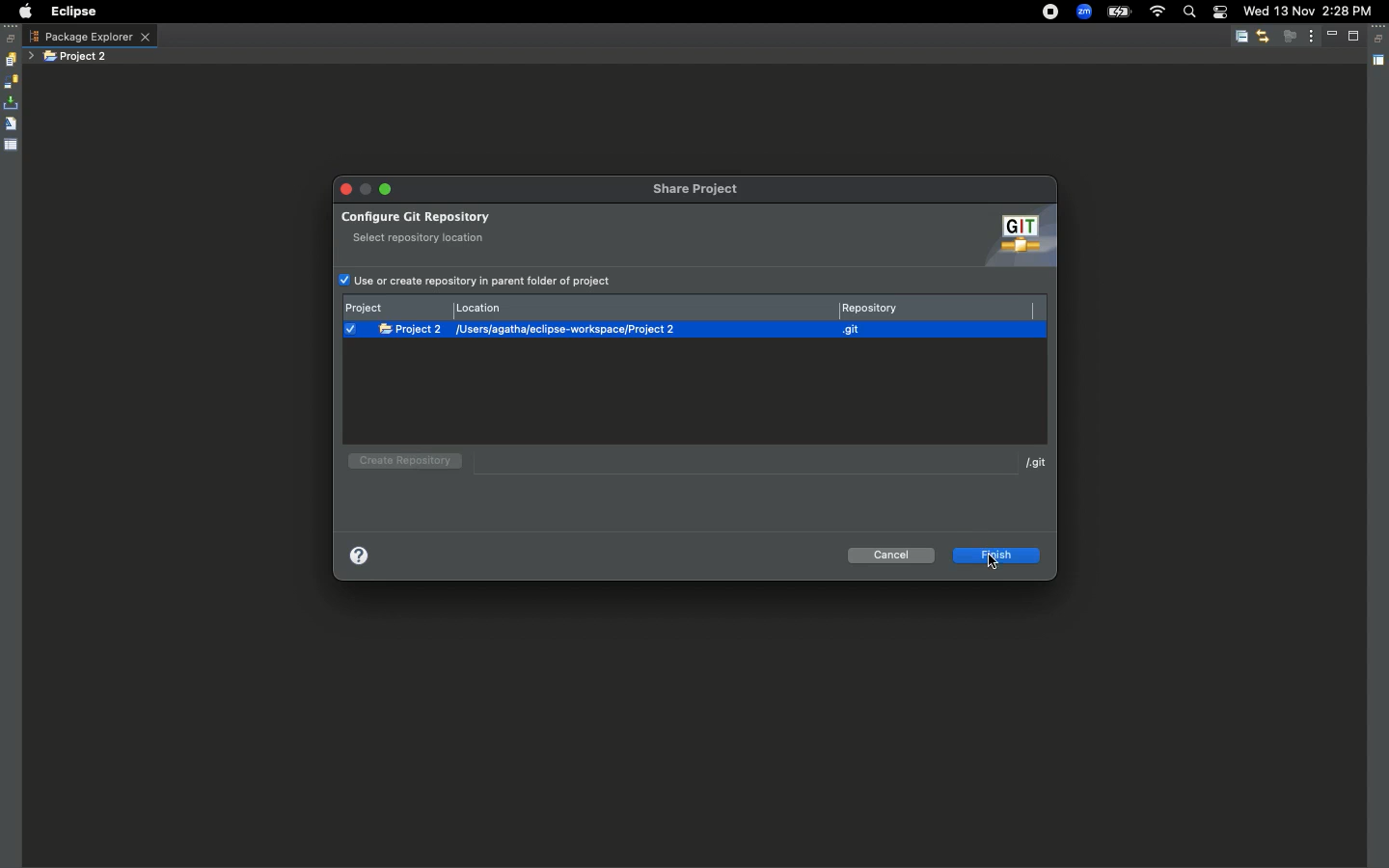 Image resolution: width=1389 pixels, height=868 pixels. I want to click on Finish, so click(998, 555).